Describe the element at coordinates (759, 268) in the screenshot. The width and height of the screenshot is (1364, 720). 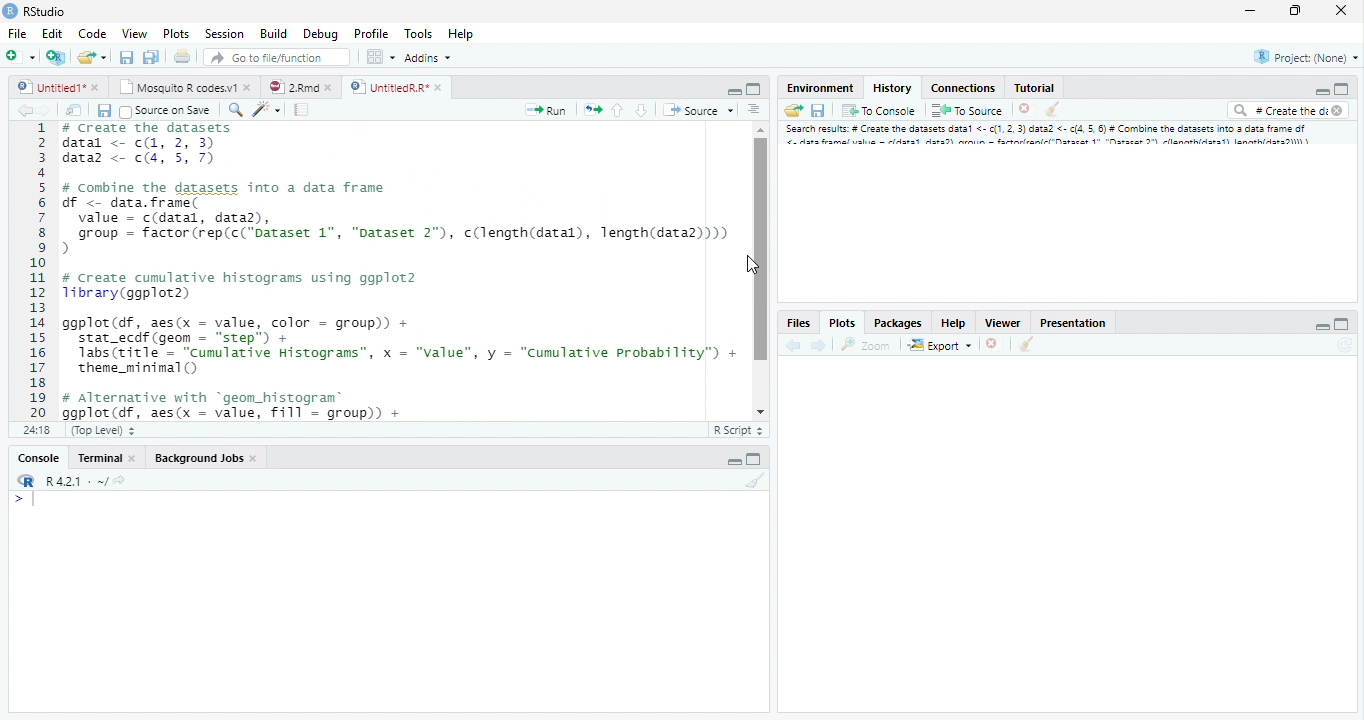
I see `Scrollbar` at that location.